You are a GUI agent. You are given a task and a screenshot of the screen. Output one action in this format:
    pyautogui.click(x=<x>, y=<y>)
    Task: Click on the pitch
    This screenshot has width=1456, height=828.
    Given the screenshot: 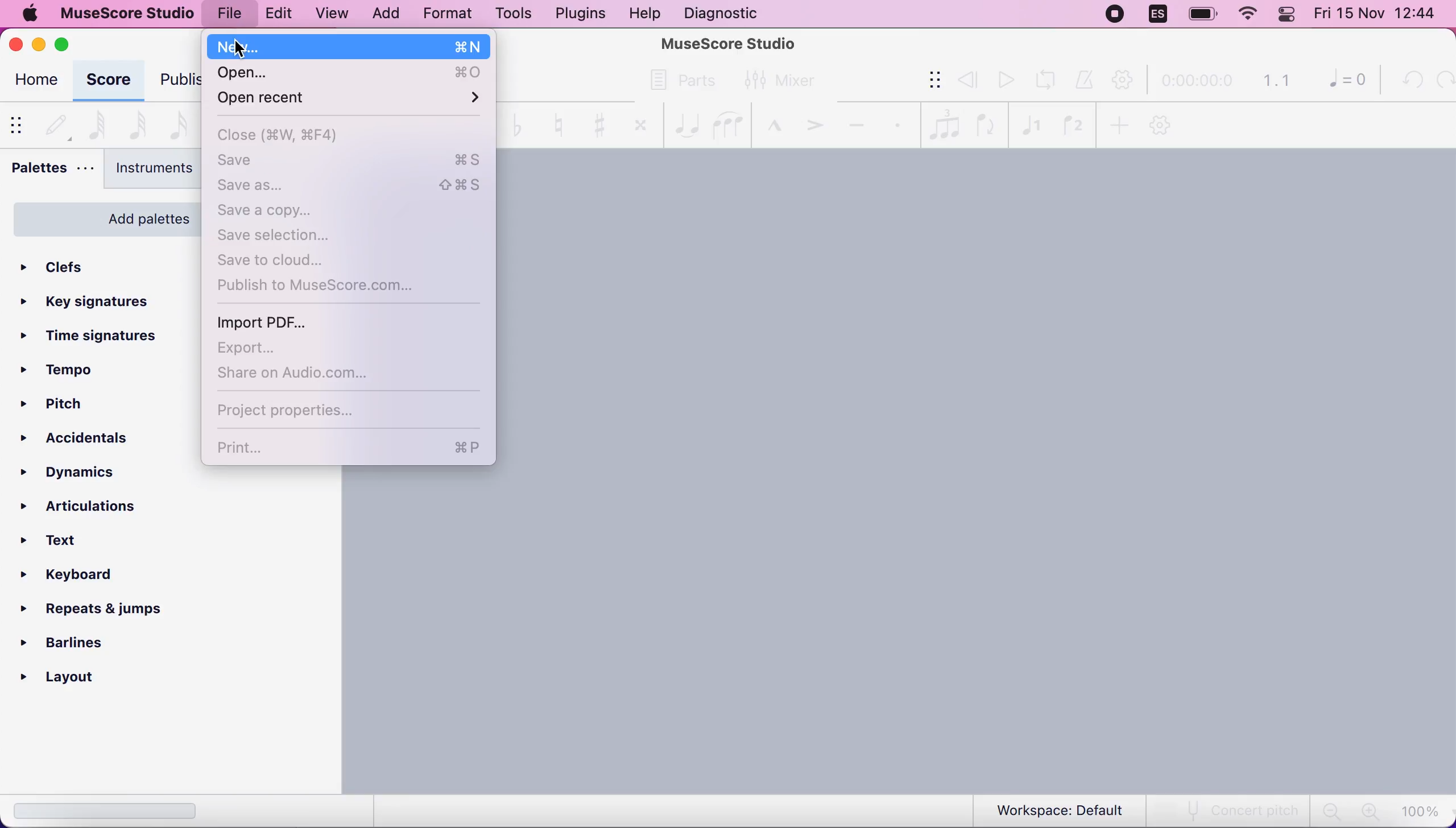 What is the action you would take?
    pyautogui.click(x=59, y=406)
    